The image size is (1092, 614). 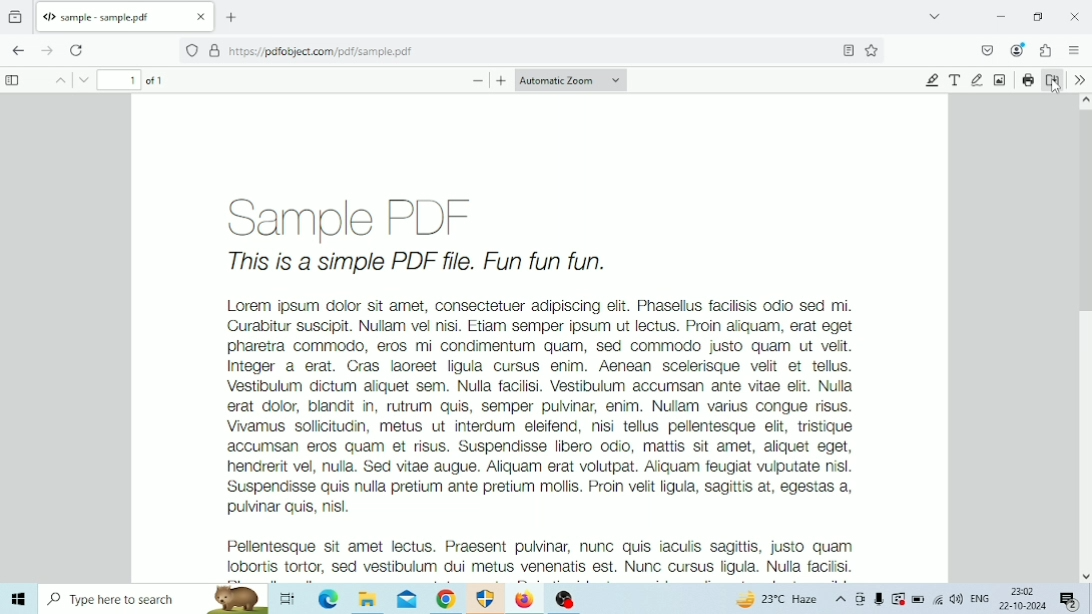 What do you see at coordinates (988, 51) in the screenshot?
I see `Save to pocket` at bounding box center [988, 51].